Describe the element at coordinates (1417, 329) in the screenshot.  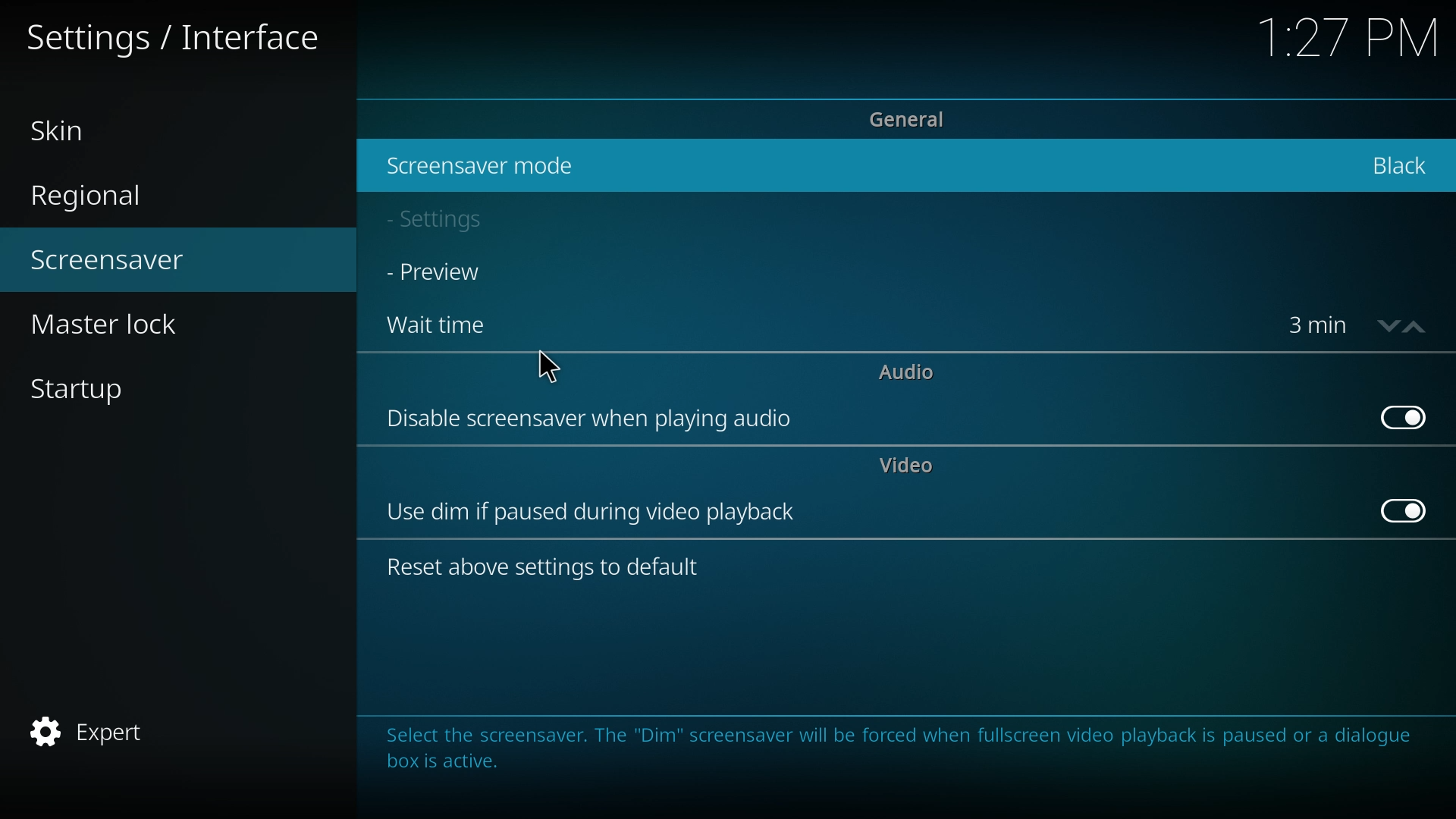
I see `increase time` at that location.